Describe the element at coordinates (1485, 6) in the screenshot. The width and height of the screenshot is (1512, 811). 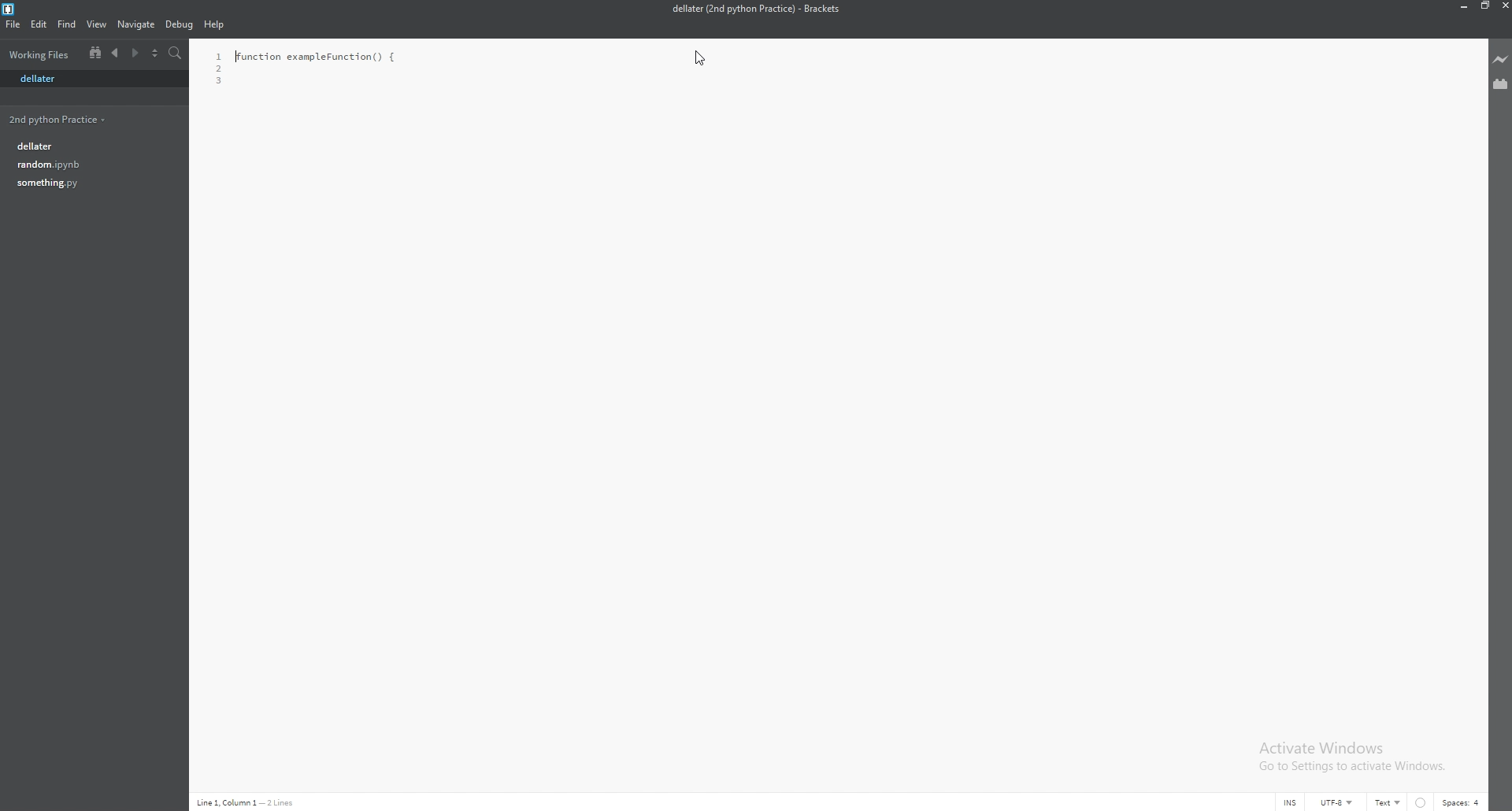
I see `resize` at that location.